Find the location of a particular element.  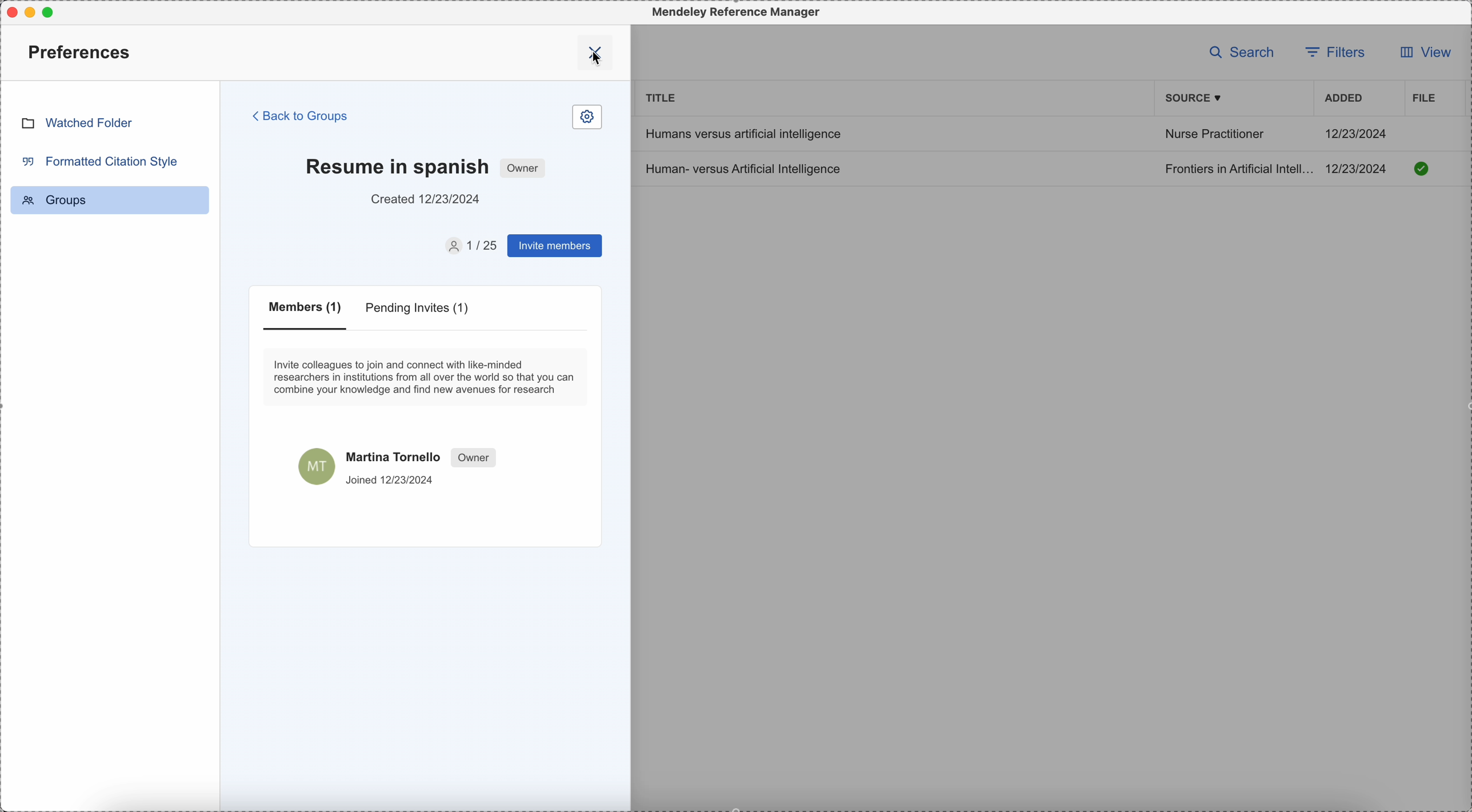

view is located at coordinates (1421, 55).